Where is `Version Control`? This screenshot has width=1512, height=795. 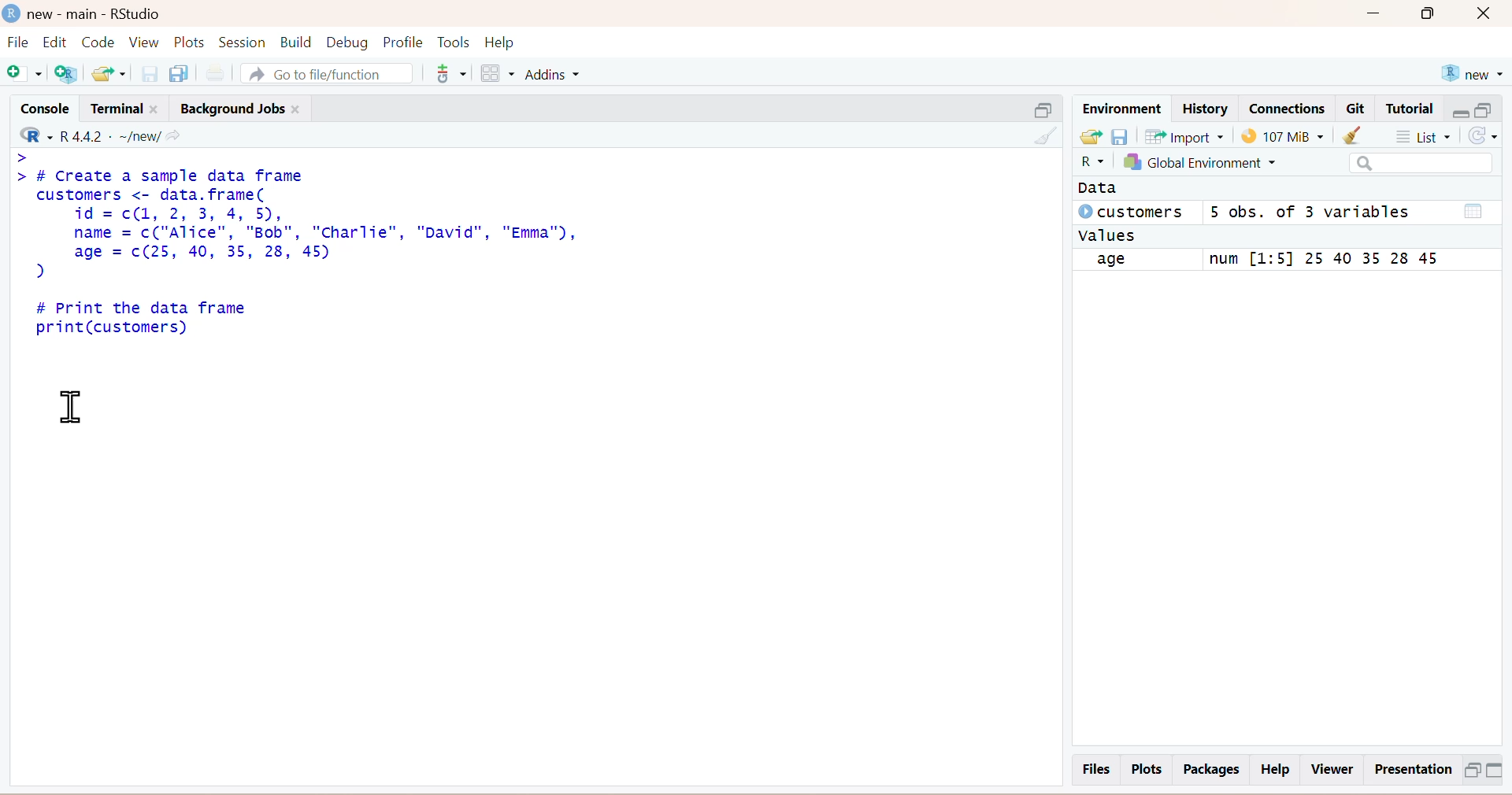 Version Control is located at coordinates (450, 71).